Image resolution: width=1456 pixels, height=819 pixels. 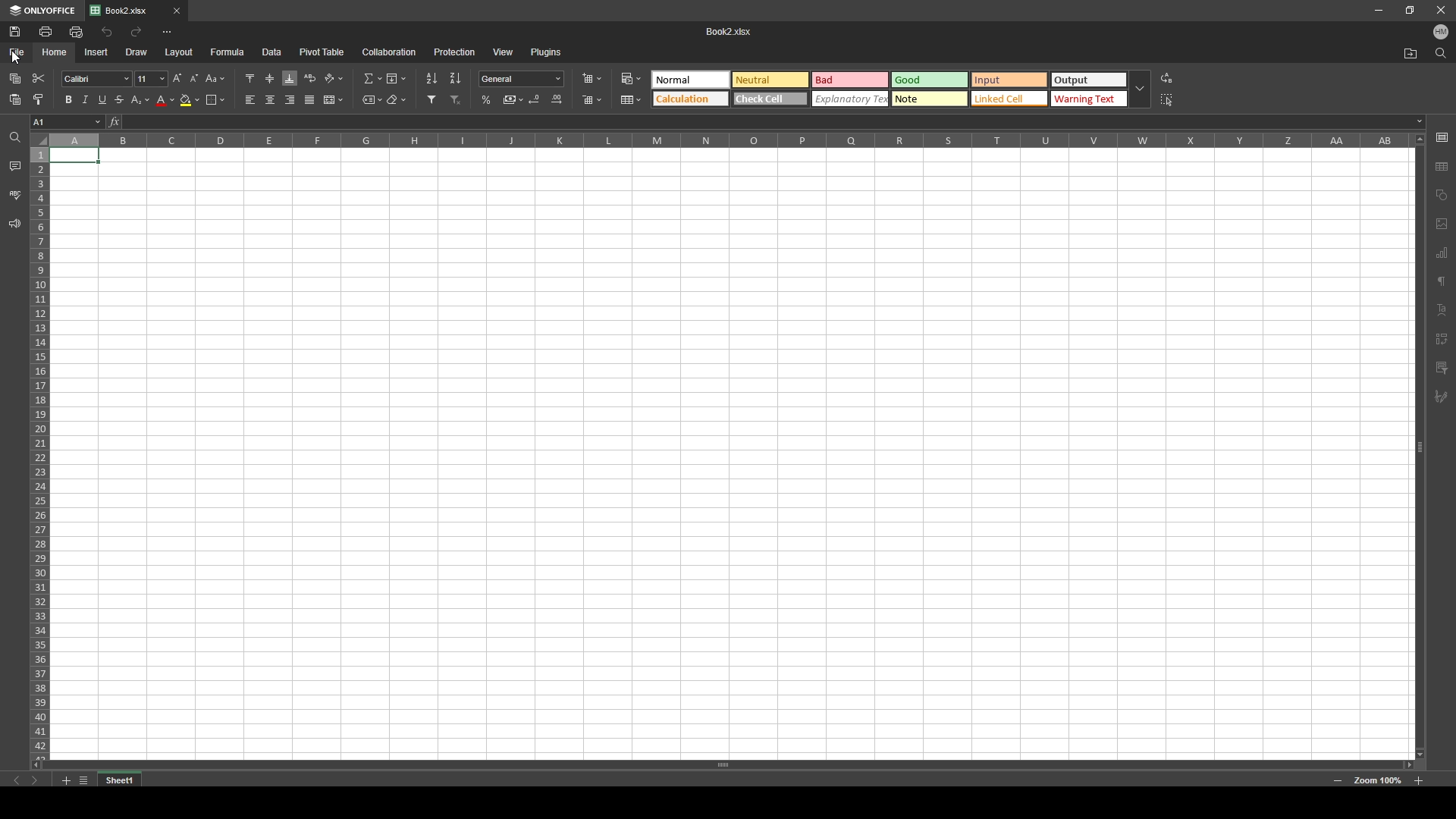 What do you see at coordinates (733, 30) in the screenshot?
I see `Book2 xlsx.` at bounding box center [733, 30].